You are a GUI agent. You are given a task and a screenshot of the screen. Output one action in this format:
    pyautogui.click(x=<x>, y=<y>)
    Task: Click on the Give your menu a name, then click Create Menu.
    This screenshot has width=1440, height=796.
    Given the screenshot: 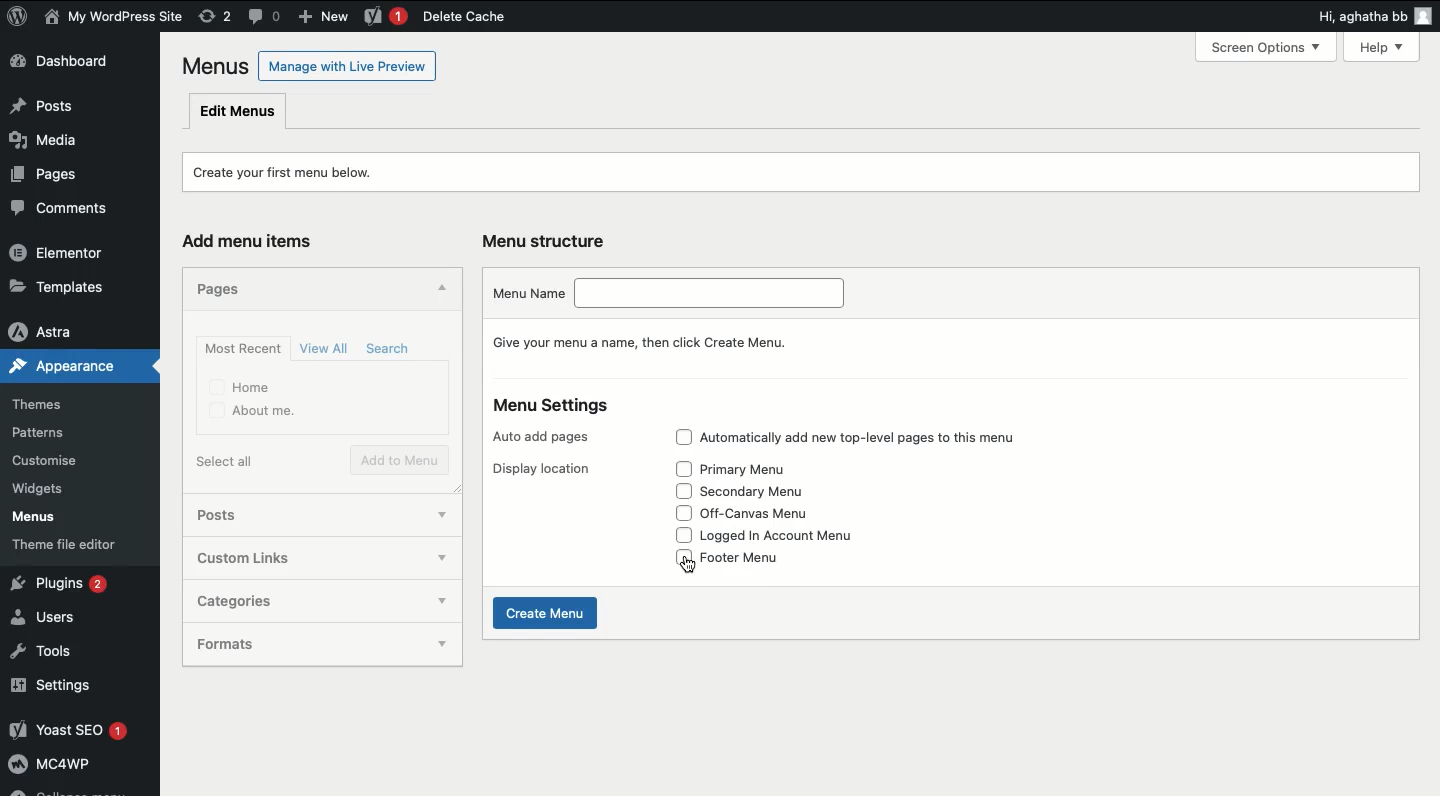 What is the action you would take?
    pyautogui.click(x=651, y=341)
    